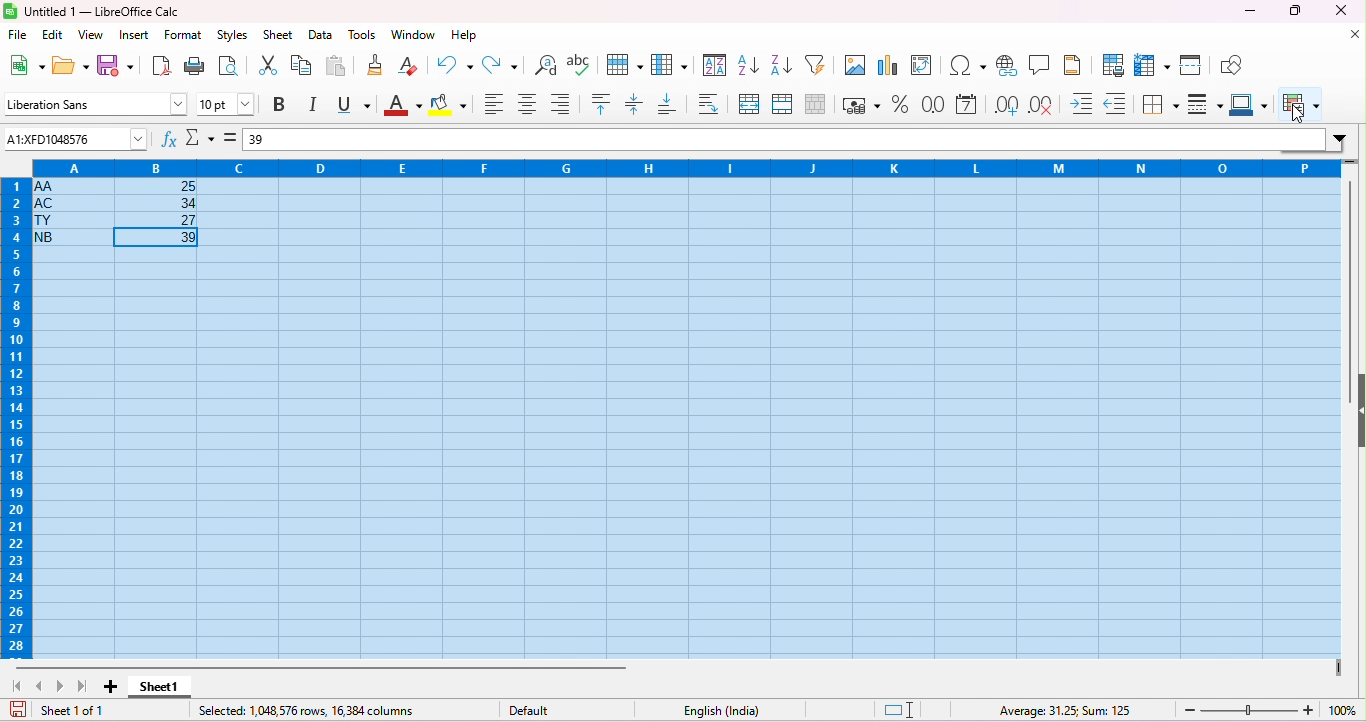 The image size is (1366, 722). I want to click on spelling, so click(581, 65).